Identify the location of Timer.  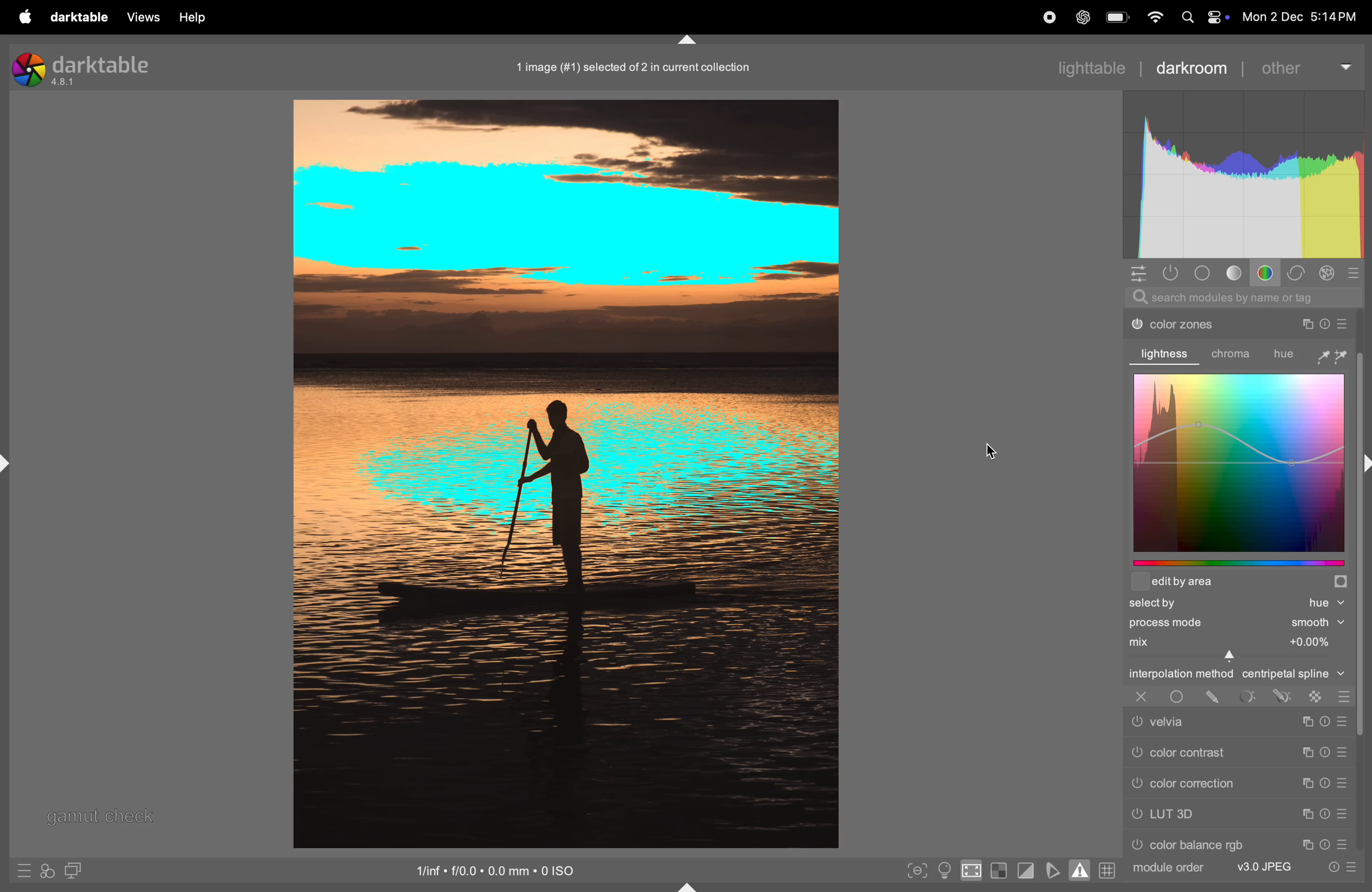
(1325, 845).